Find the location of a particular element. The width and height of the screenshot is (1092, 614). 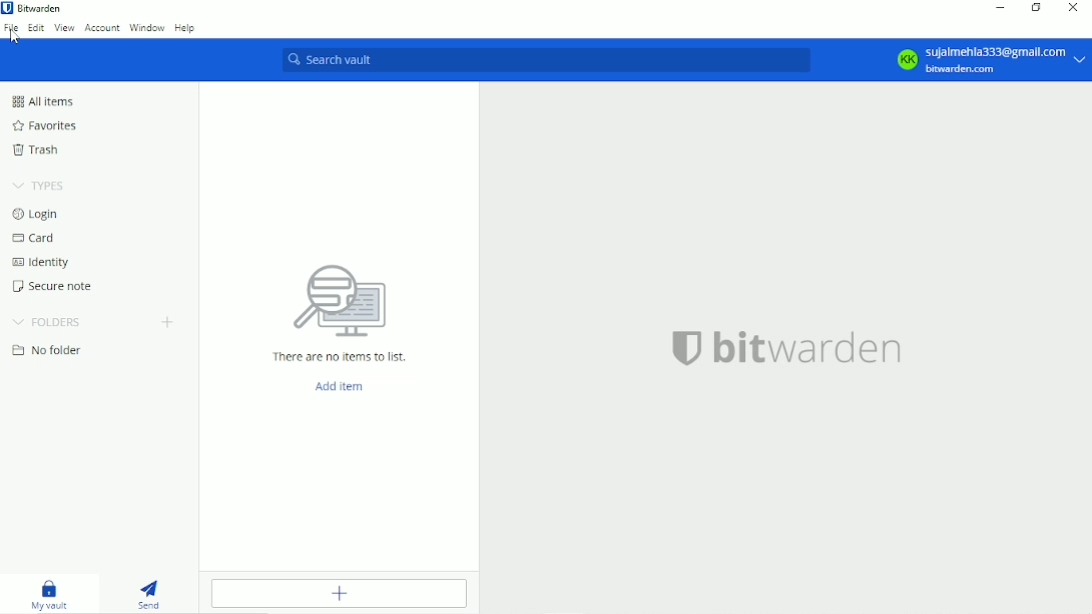

Search vault is located at coordinates (547, 60).